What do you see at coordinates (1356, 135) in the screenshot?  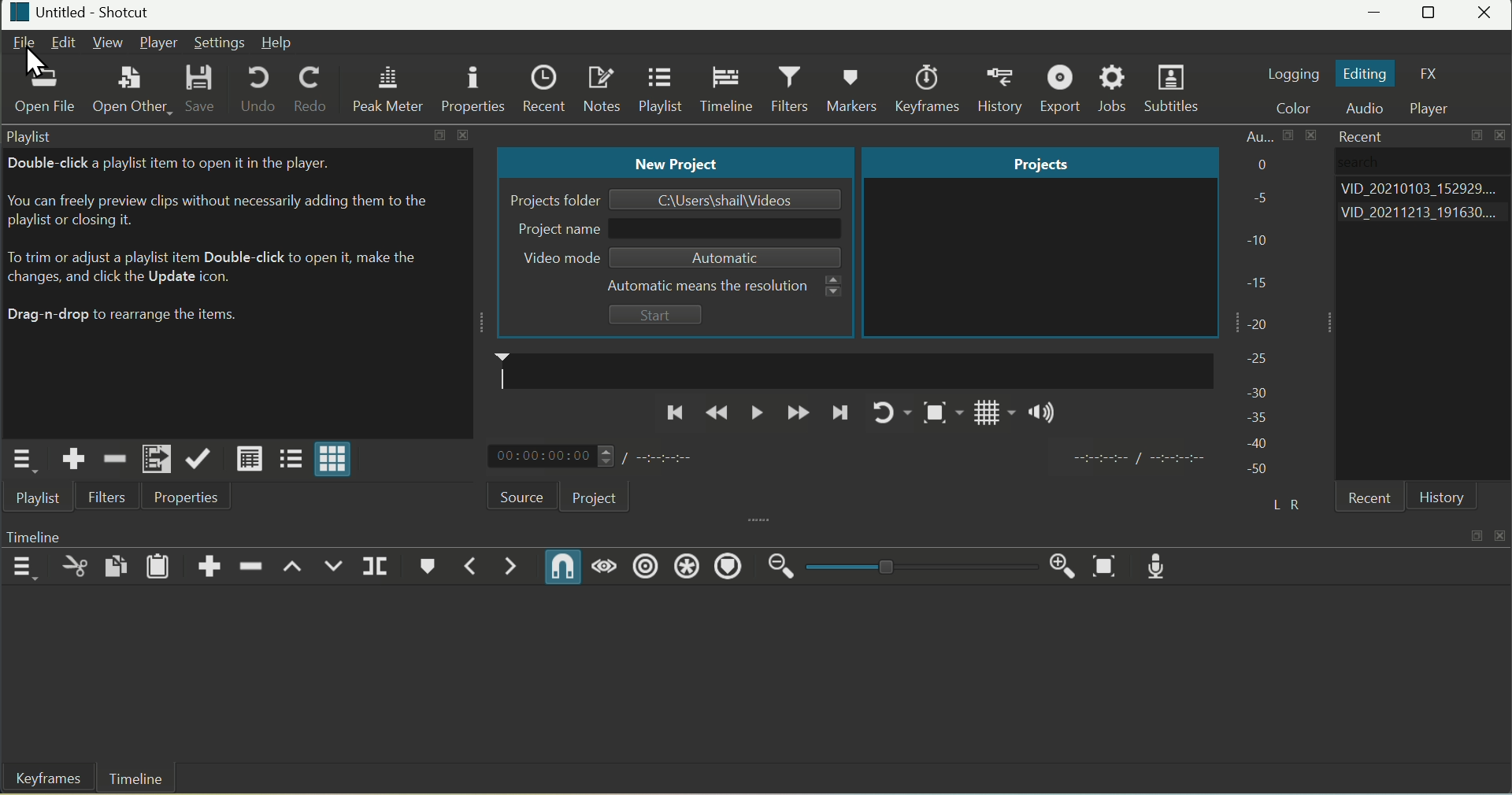 I see `Recent` at bounding box center [1356, 135].